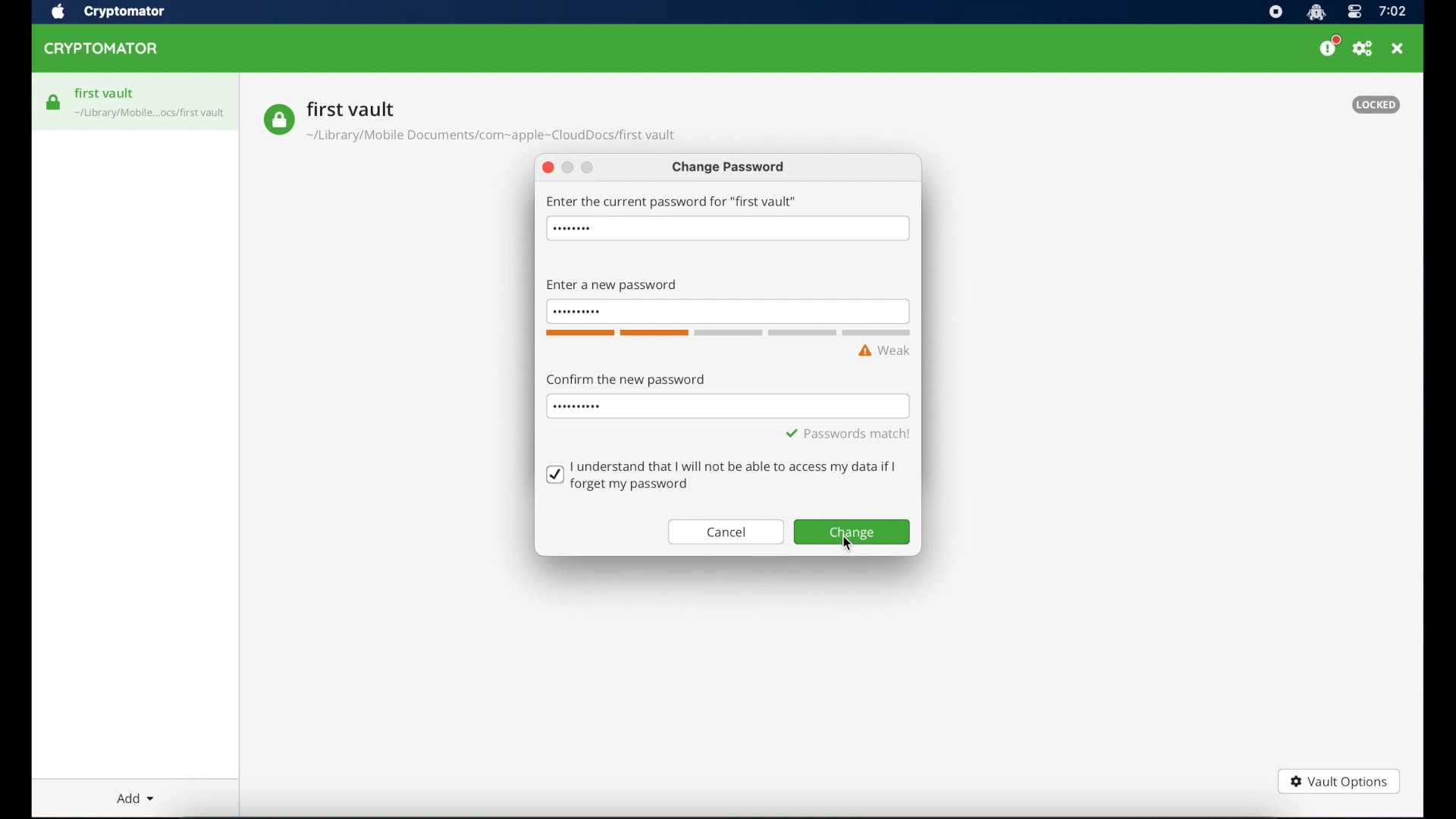  Describe the element at coordinates (569, 168) in the screenshot. I see `minimize` at that location.